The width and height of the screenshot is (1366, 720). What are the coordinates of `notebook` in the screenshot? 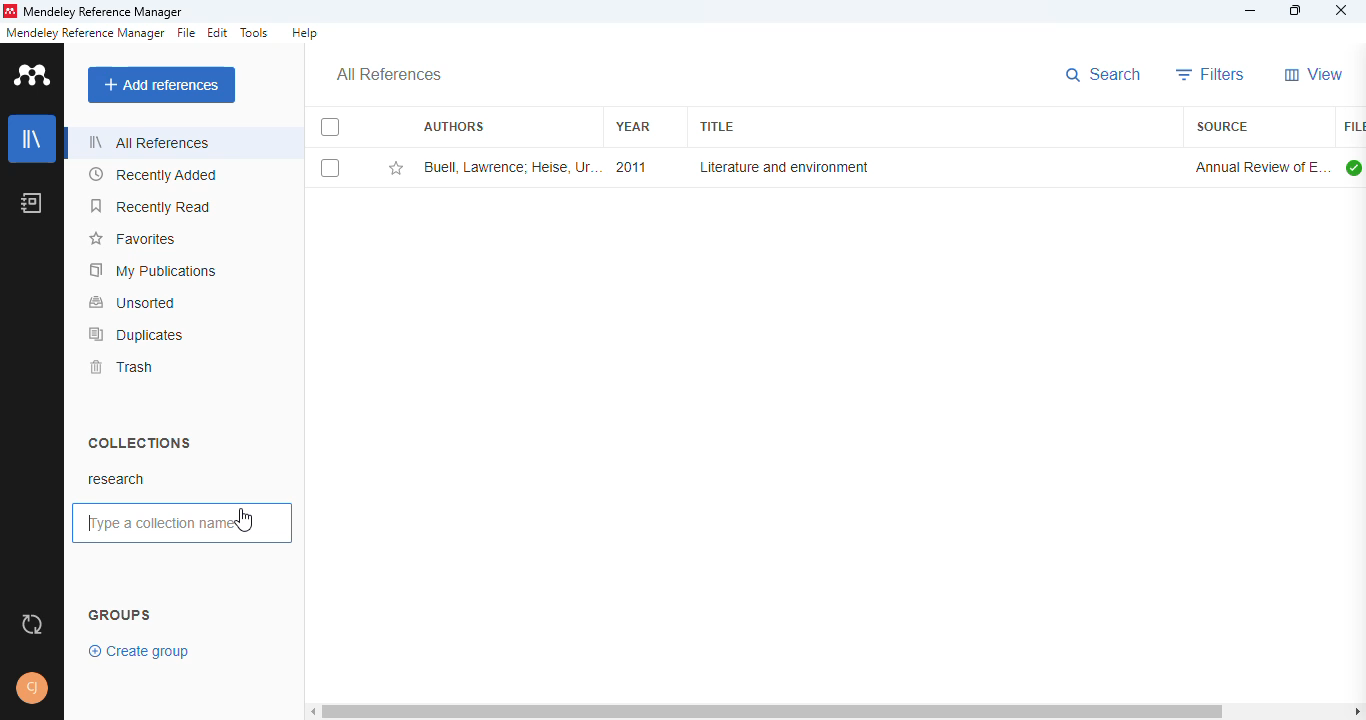 It's located at (31, 203).